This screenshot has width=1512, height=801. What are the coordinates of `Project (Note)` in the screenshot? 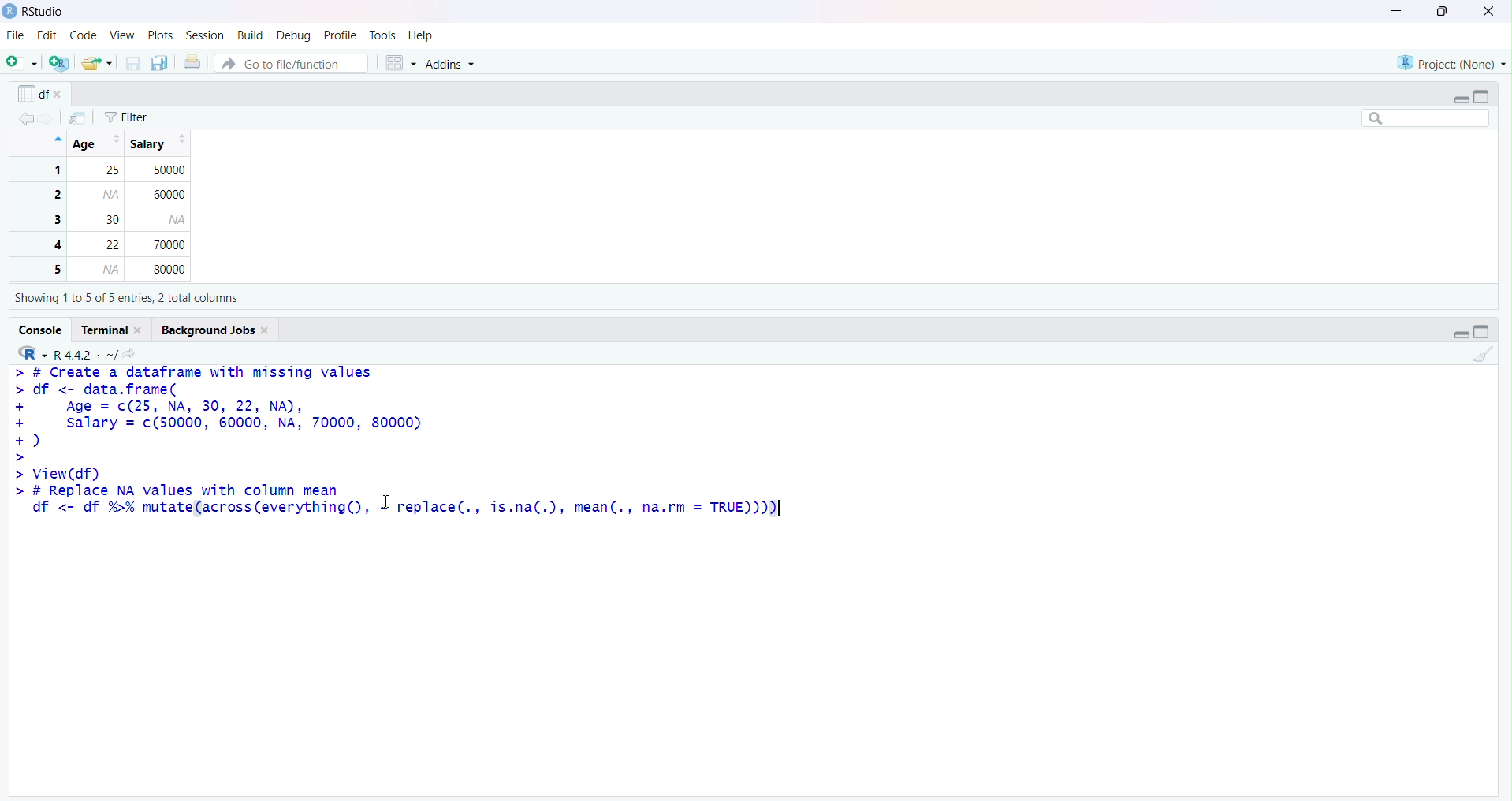 It's located at (1451, 64).